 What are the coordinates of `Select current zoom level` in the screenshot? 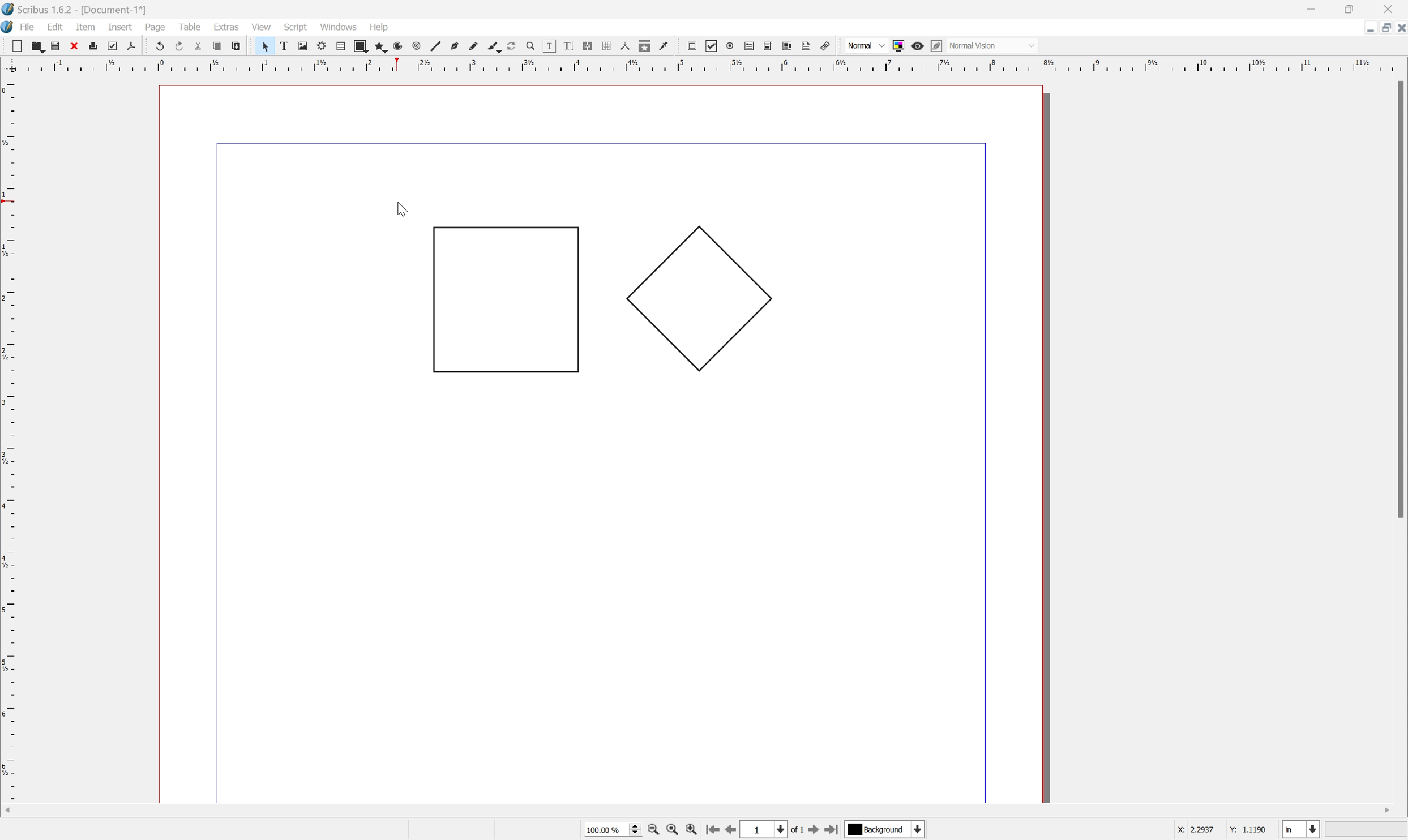 It's located at (609, 829).